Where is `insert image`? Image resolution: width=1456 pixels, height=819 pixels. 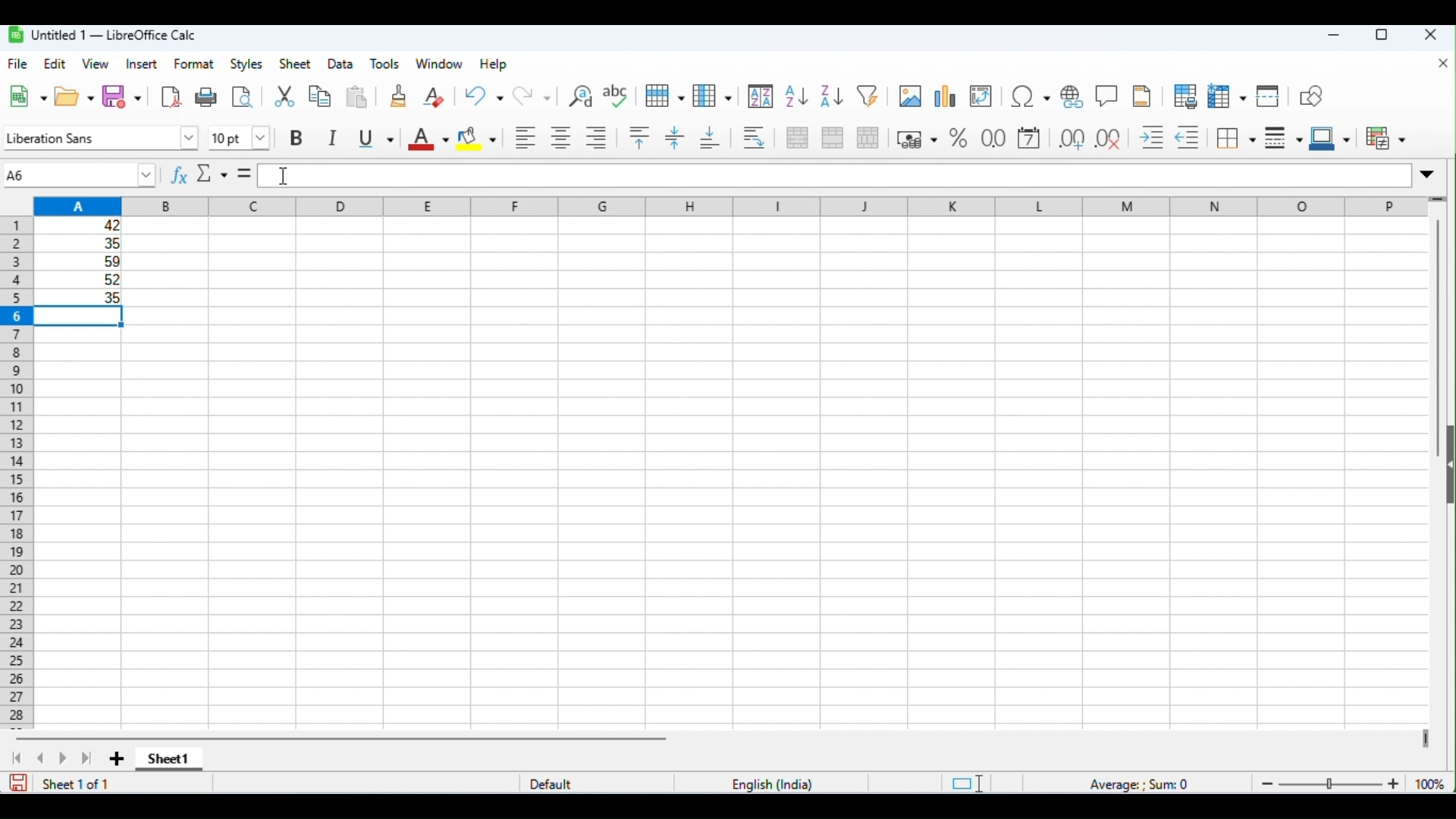 insert image is located at coordinates (909, 96).